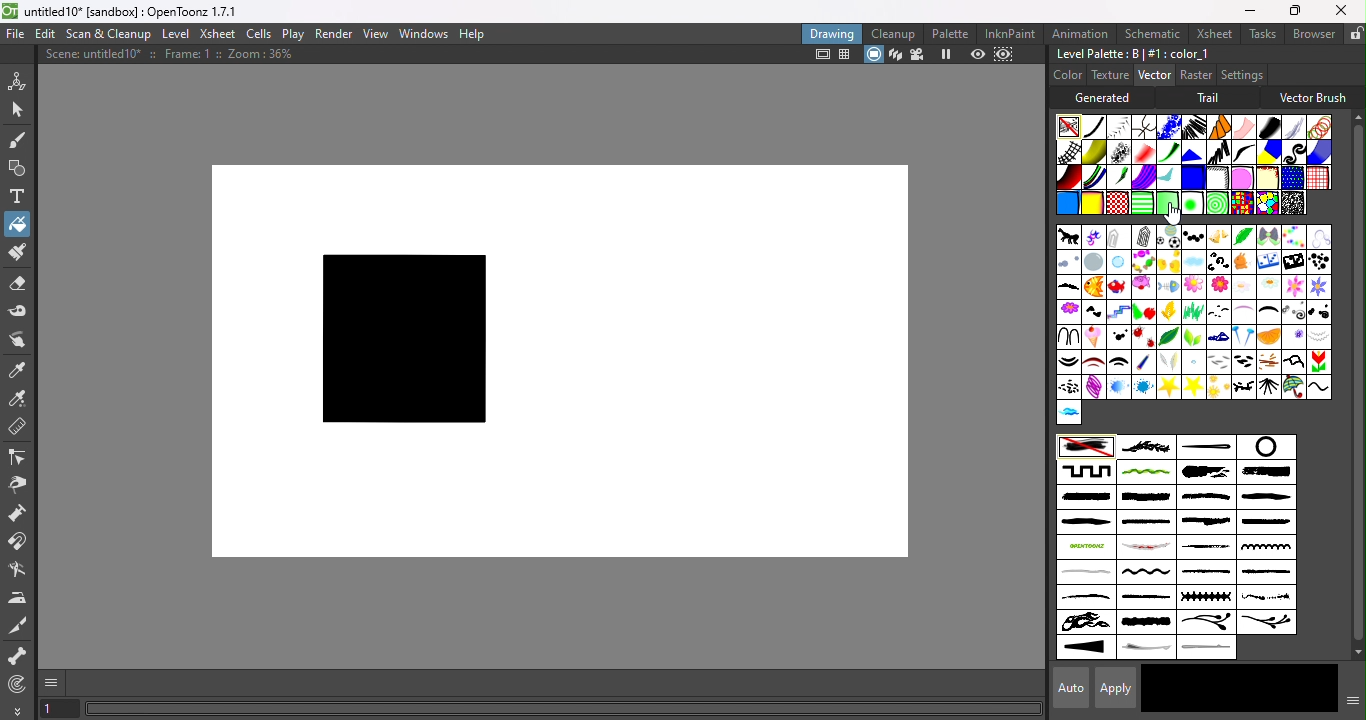  I want to click on thor2, so click(1269, 386).